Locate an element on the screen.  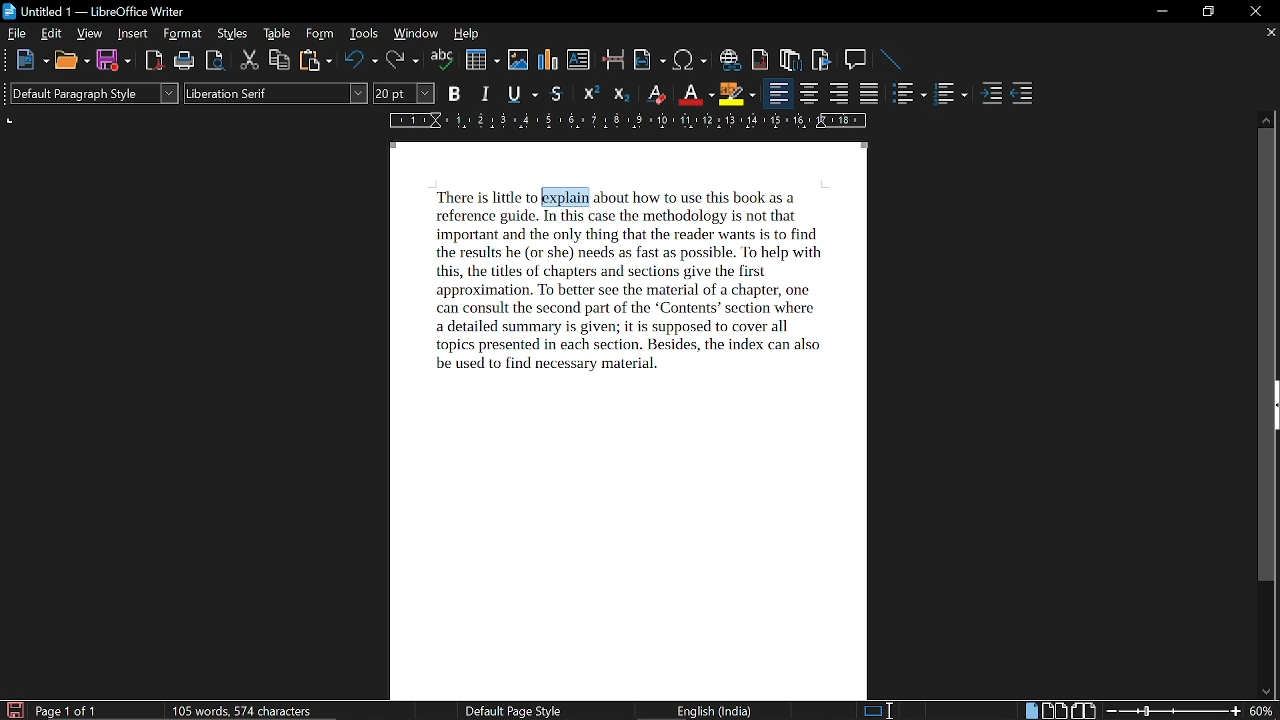
increase indent is located at coordinates (994, 94).